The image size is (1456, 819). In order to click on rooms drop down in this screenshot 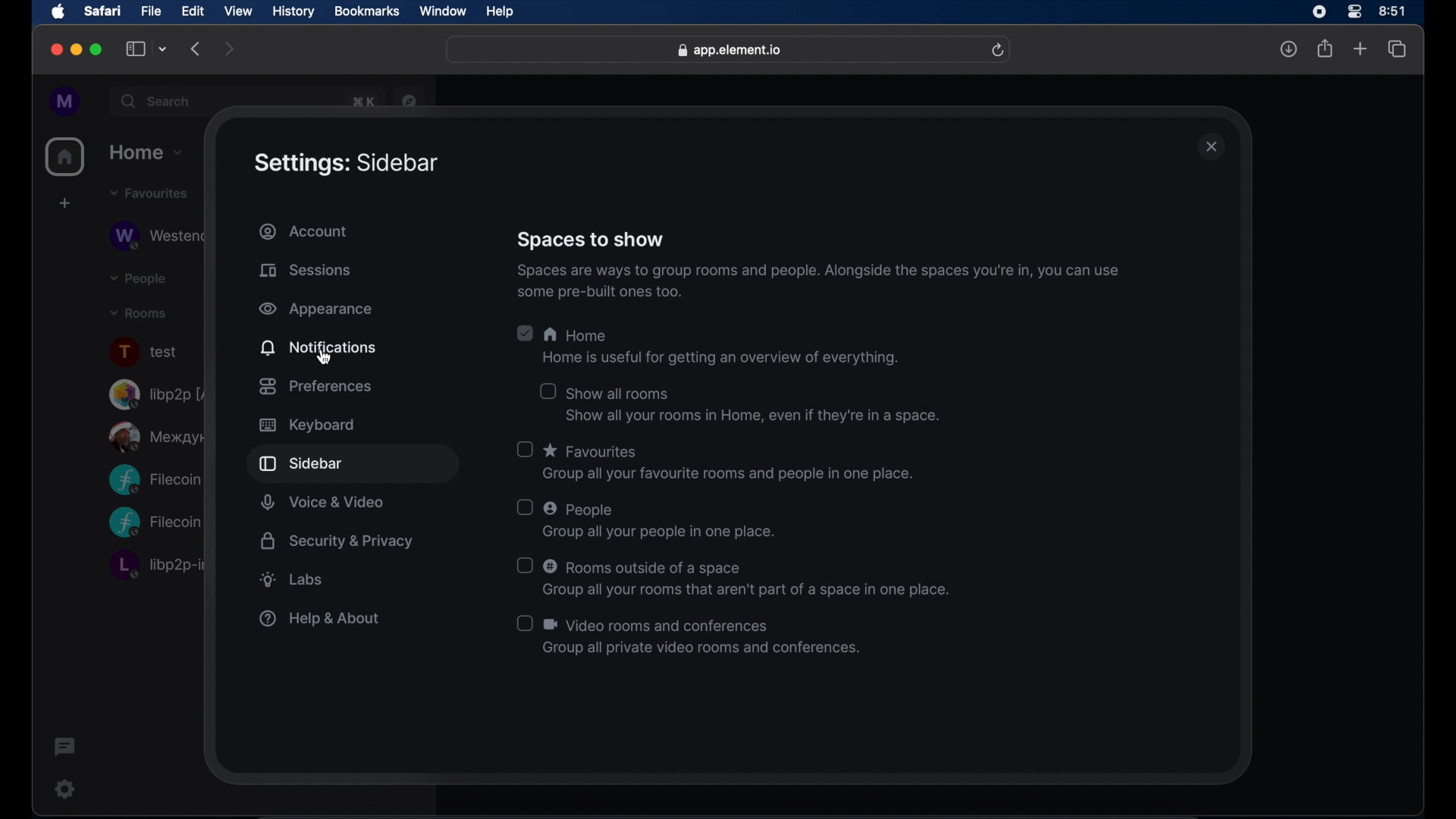, I will do `click(136, 314)`.